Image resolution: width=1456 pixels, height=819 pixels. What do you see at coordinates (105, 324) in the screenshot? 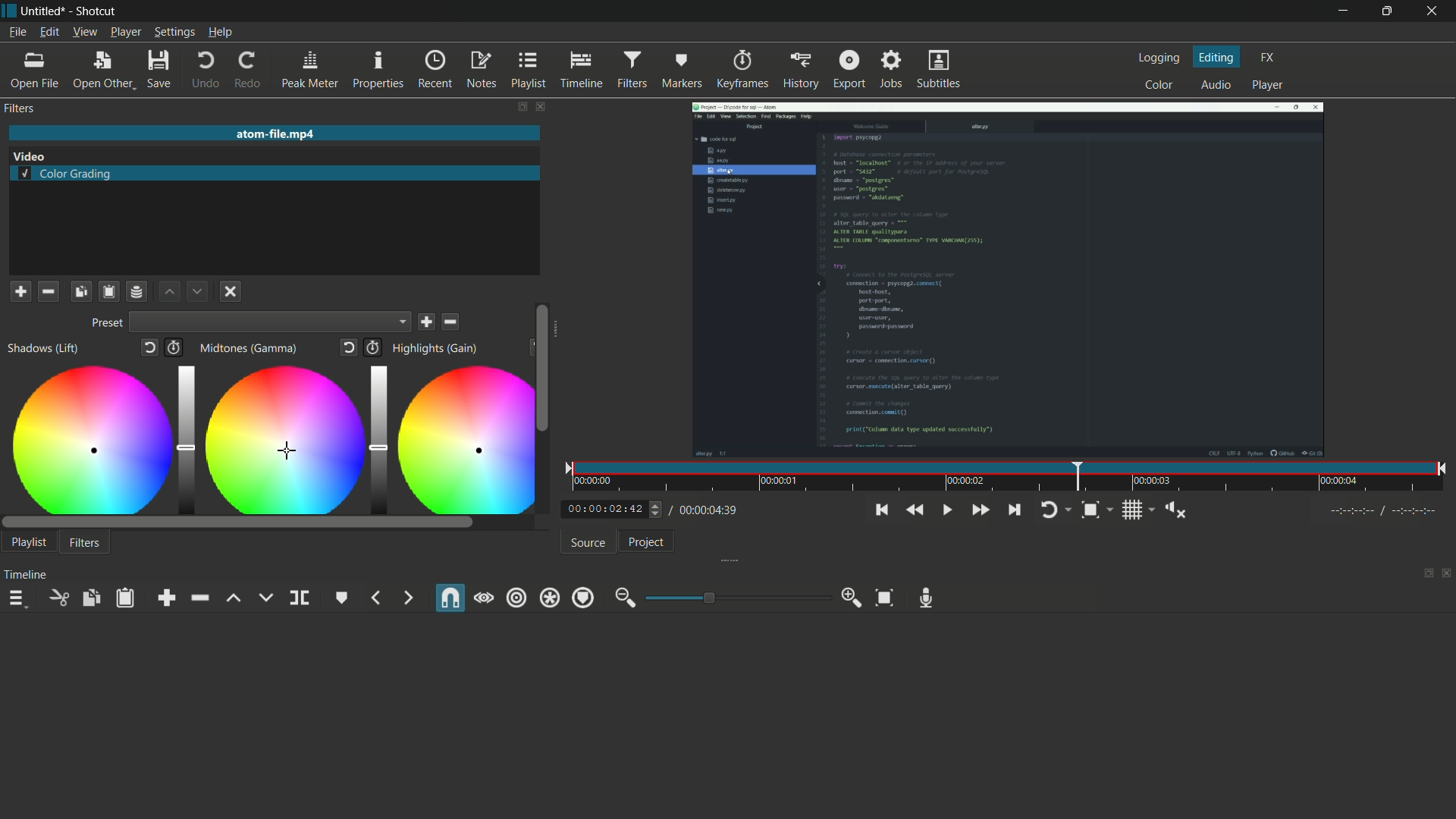
I see `Present` at bounding box center [105, 324].